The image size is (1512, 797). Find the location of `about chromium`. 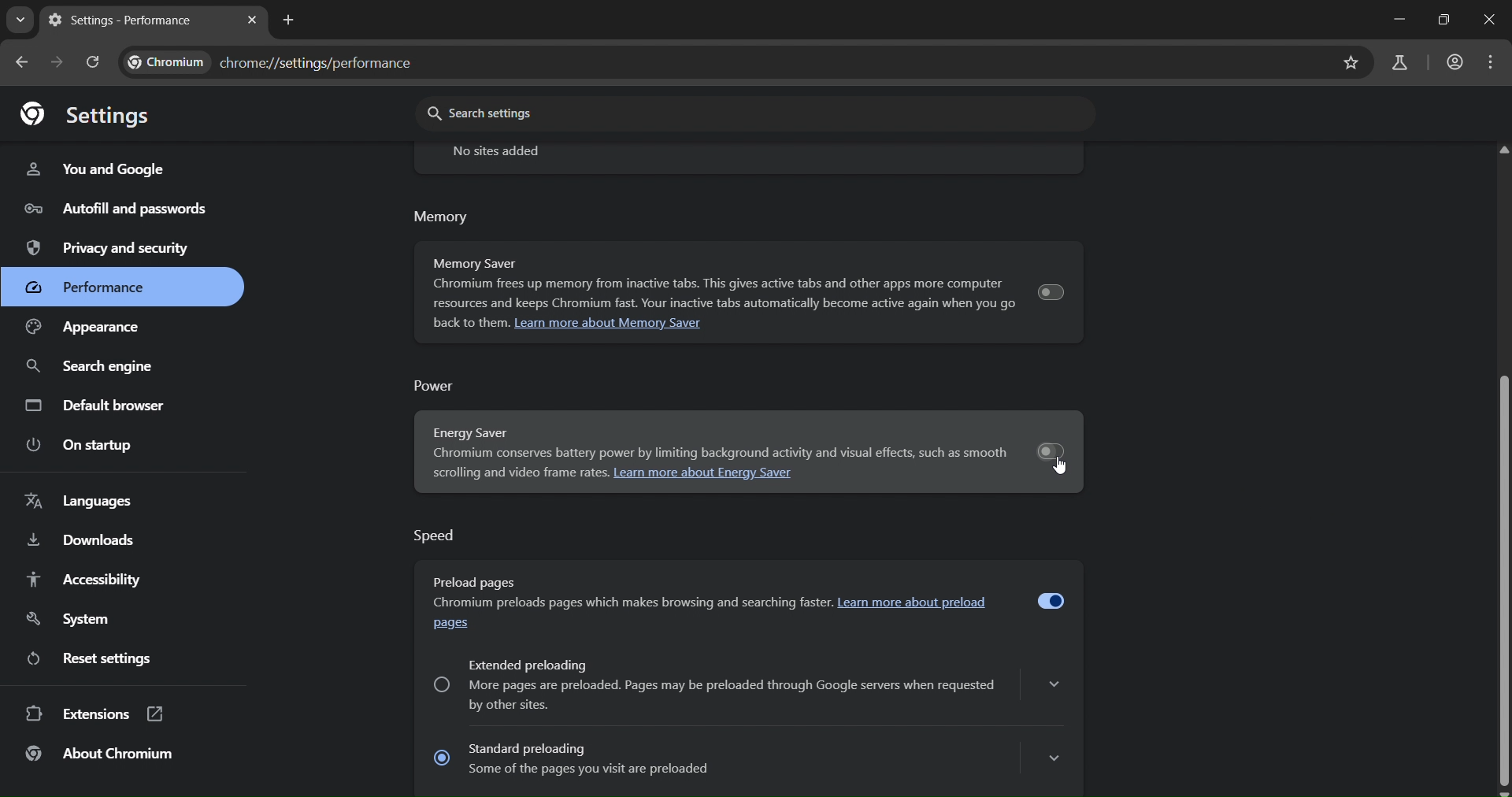

about chromium is located at coordinates (119, 754).